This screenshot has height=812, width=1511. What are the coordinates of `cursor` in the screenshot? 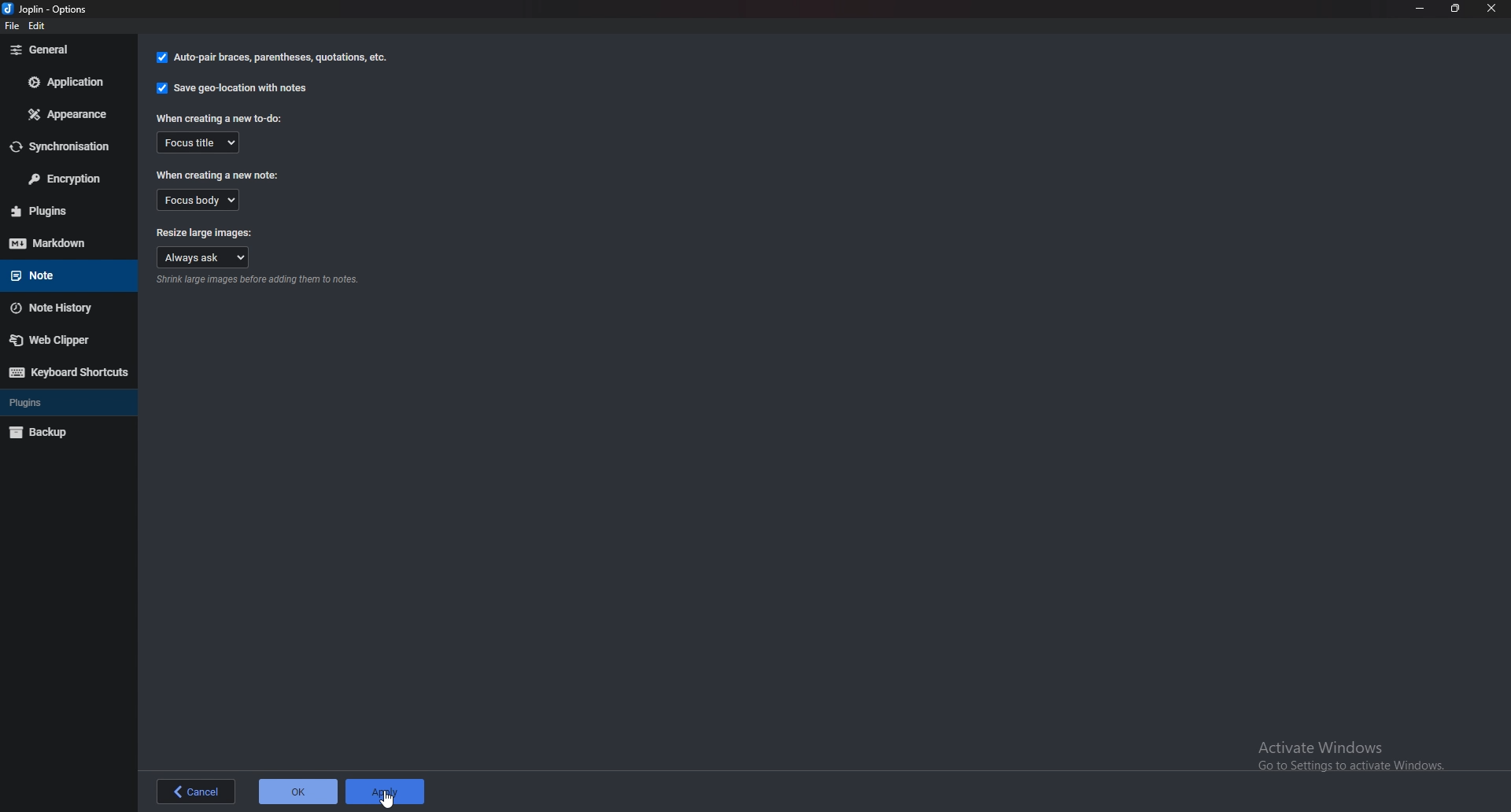 It's located at (386, 798).